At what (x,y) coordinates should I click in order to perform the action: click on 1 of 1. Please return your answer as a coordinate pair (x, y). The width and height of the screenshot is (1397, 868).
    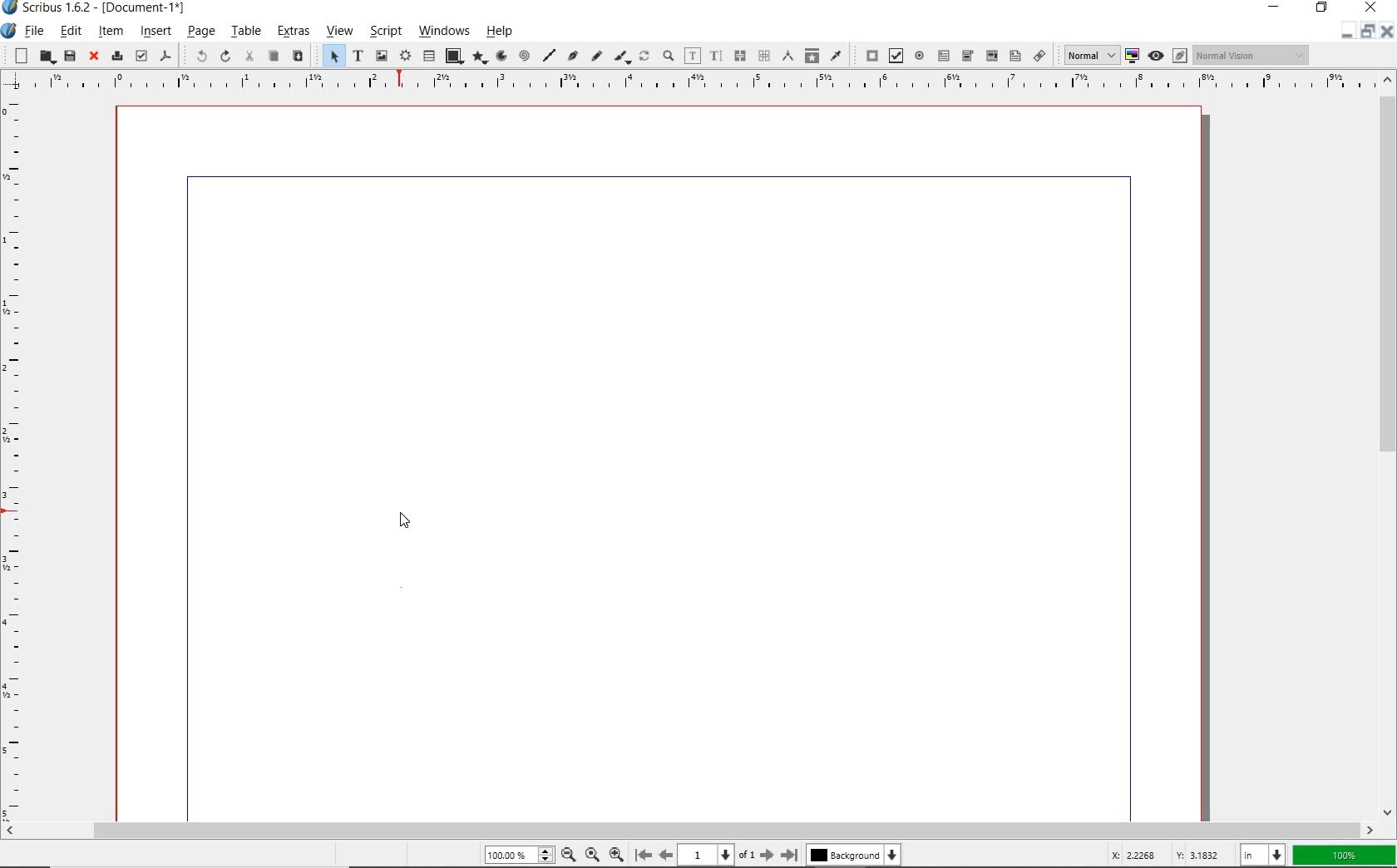
    Looking at the image, I should click on (716, 855).